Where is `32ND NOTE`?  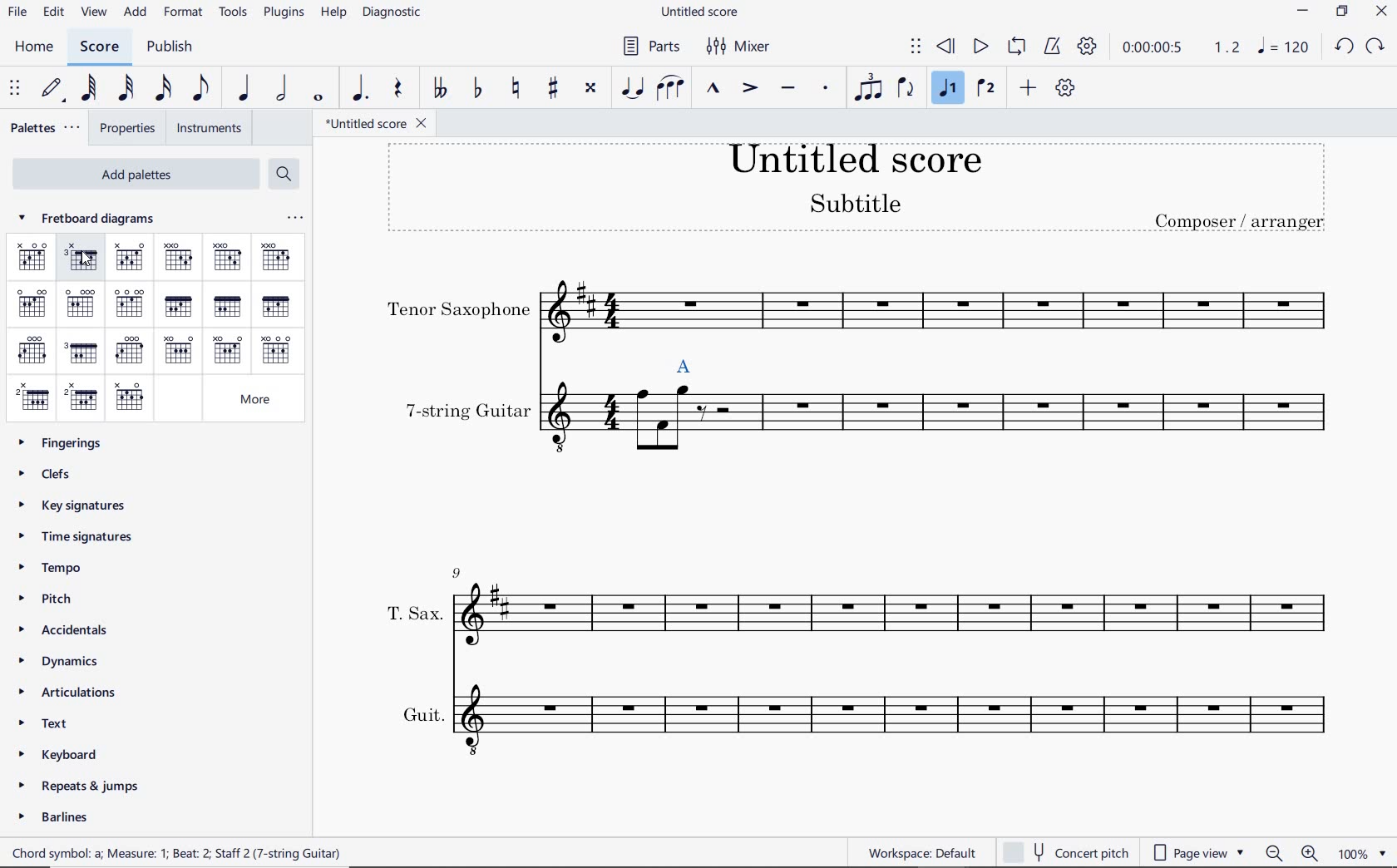
32ND NOTE is located at coordinates (126, 89).